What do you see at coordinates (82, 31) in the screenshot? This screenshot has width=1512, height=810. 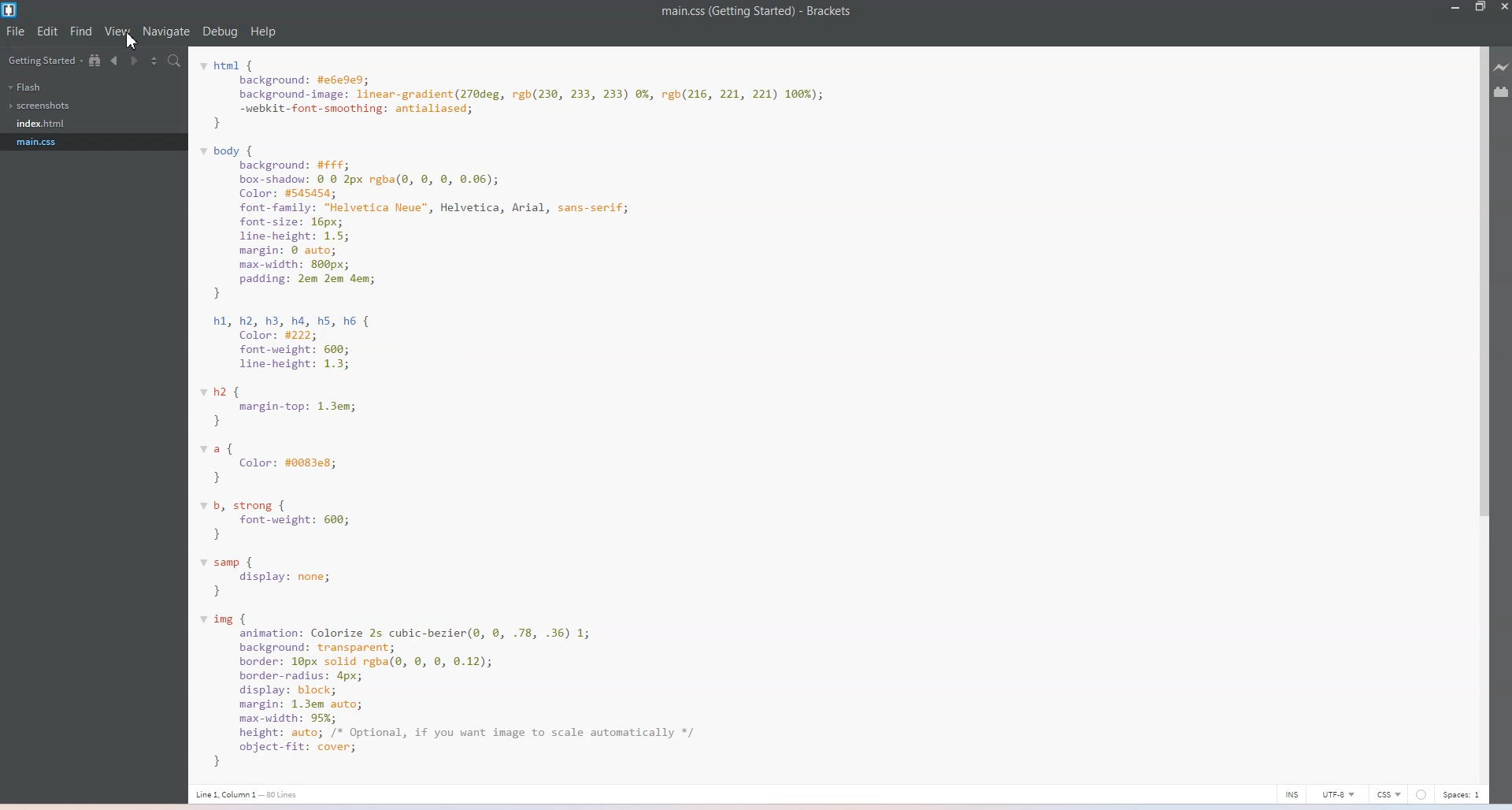 I see `Find` at bounding box center [82, 31].